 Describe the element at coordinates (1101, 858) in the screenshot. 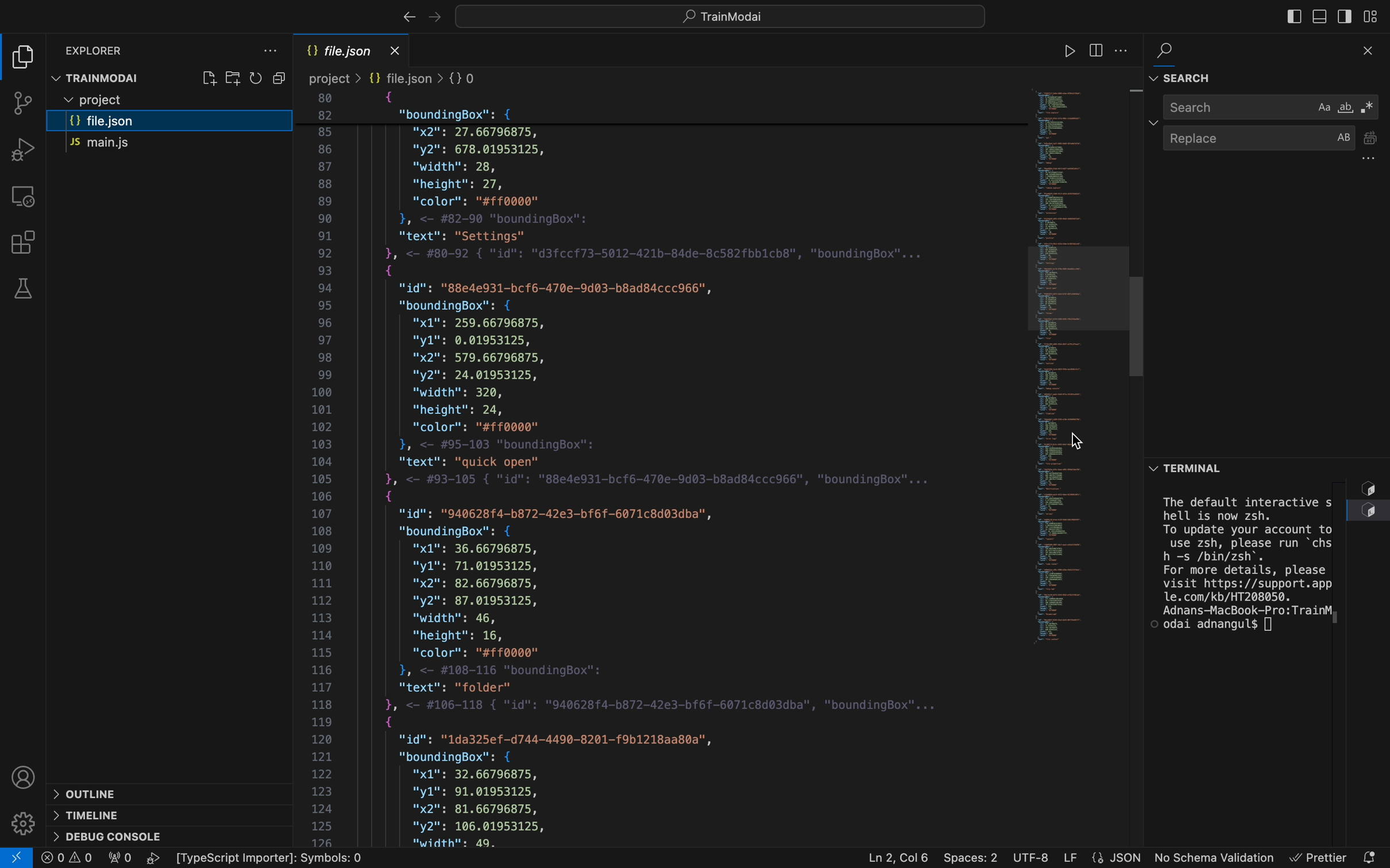

I see `file properties` at that location.